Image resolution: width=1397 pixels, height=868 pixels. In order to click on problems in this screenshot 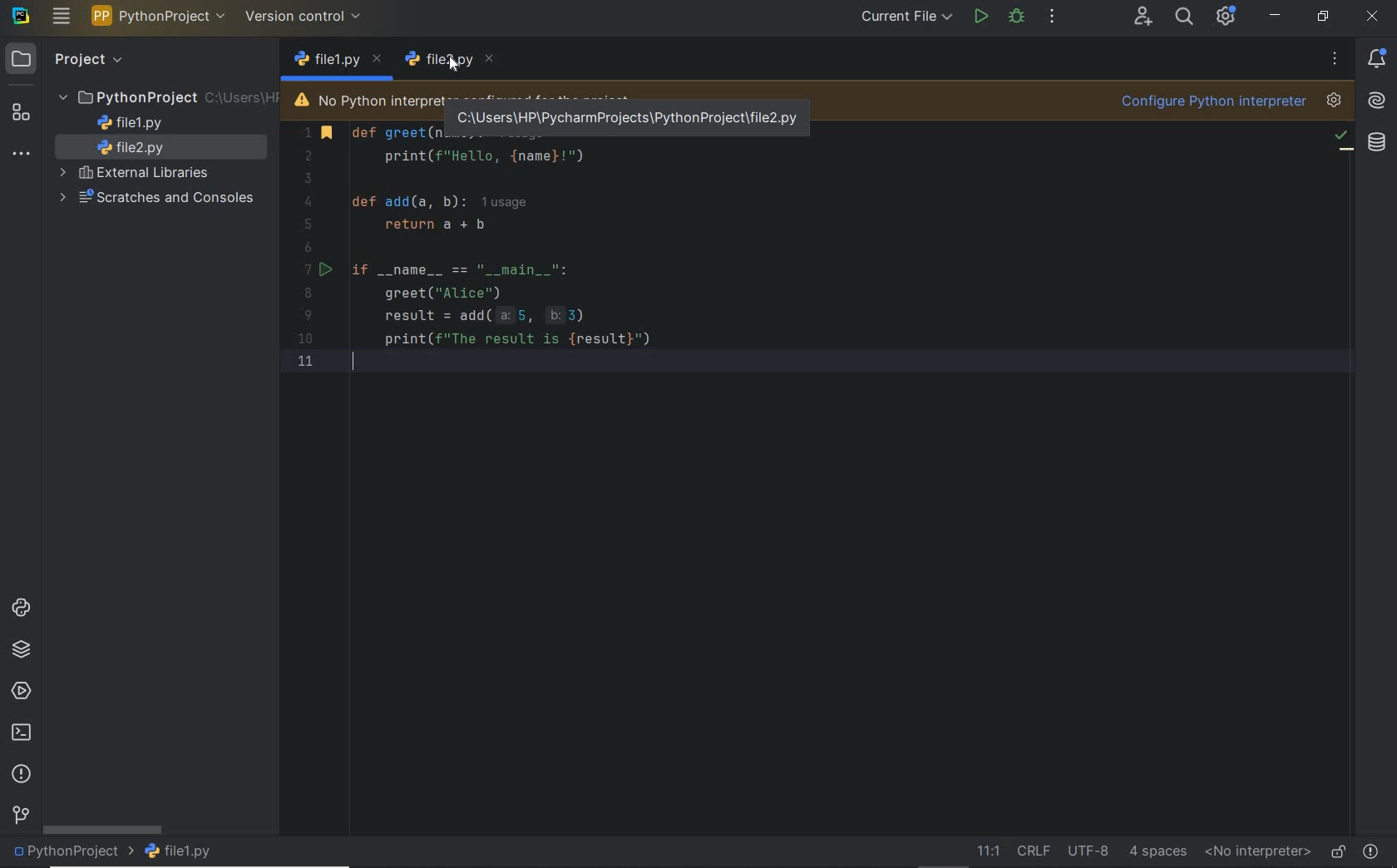, I will do `click(1372, 849)`.